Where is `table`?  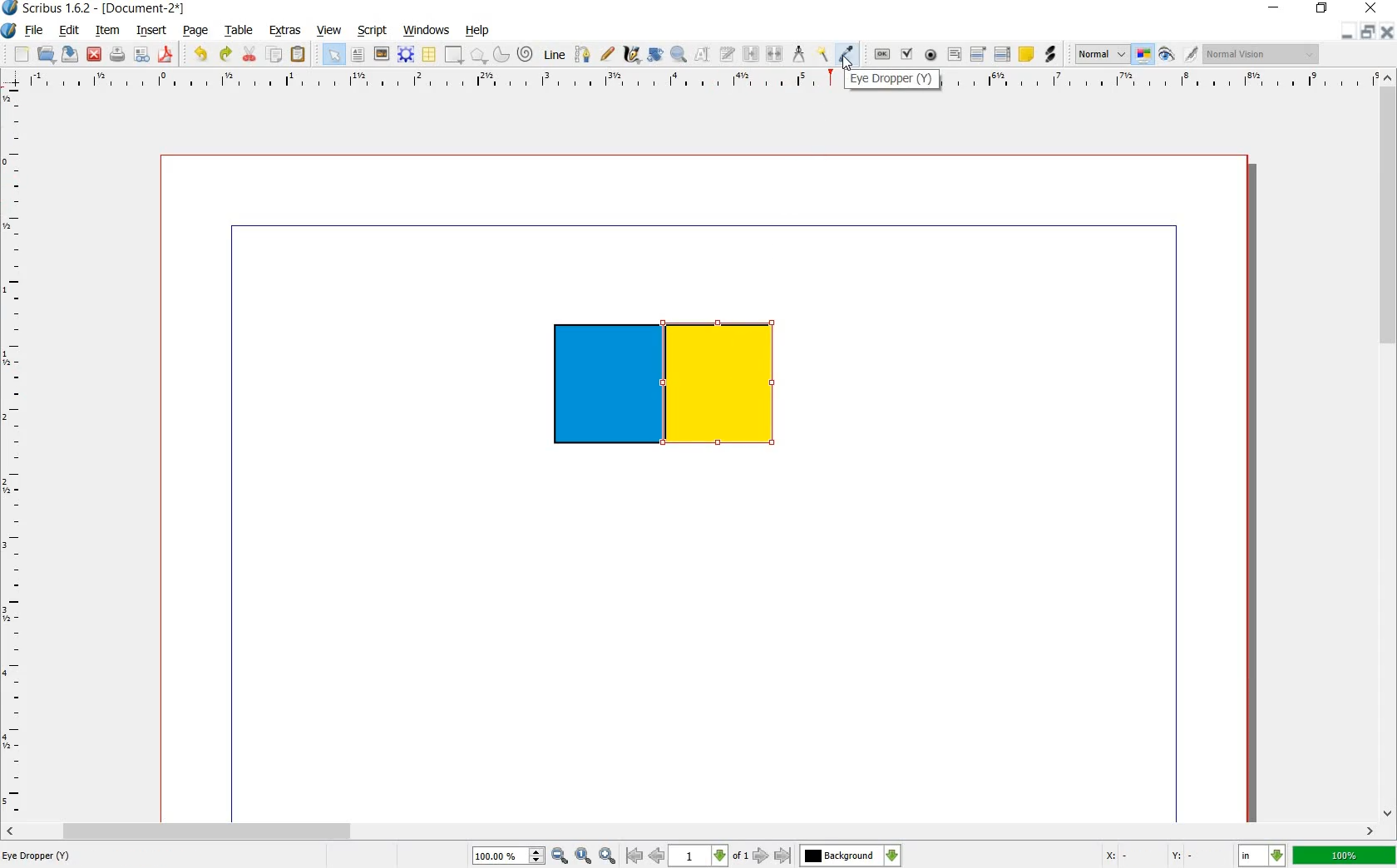
table is located at coordinates (430, 54).